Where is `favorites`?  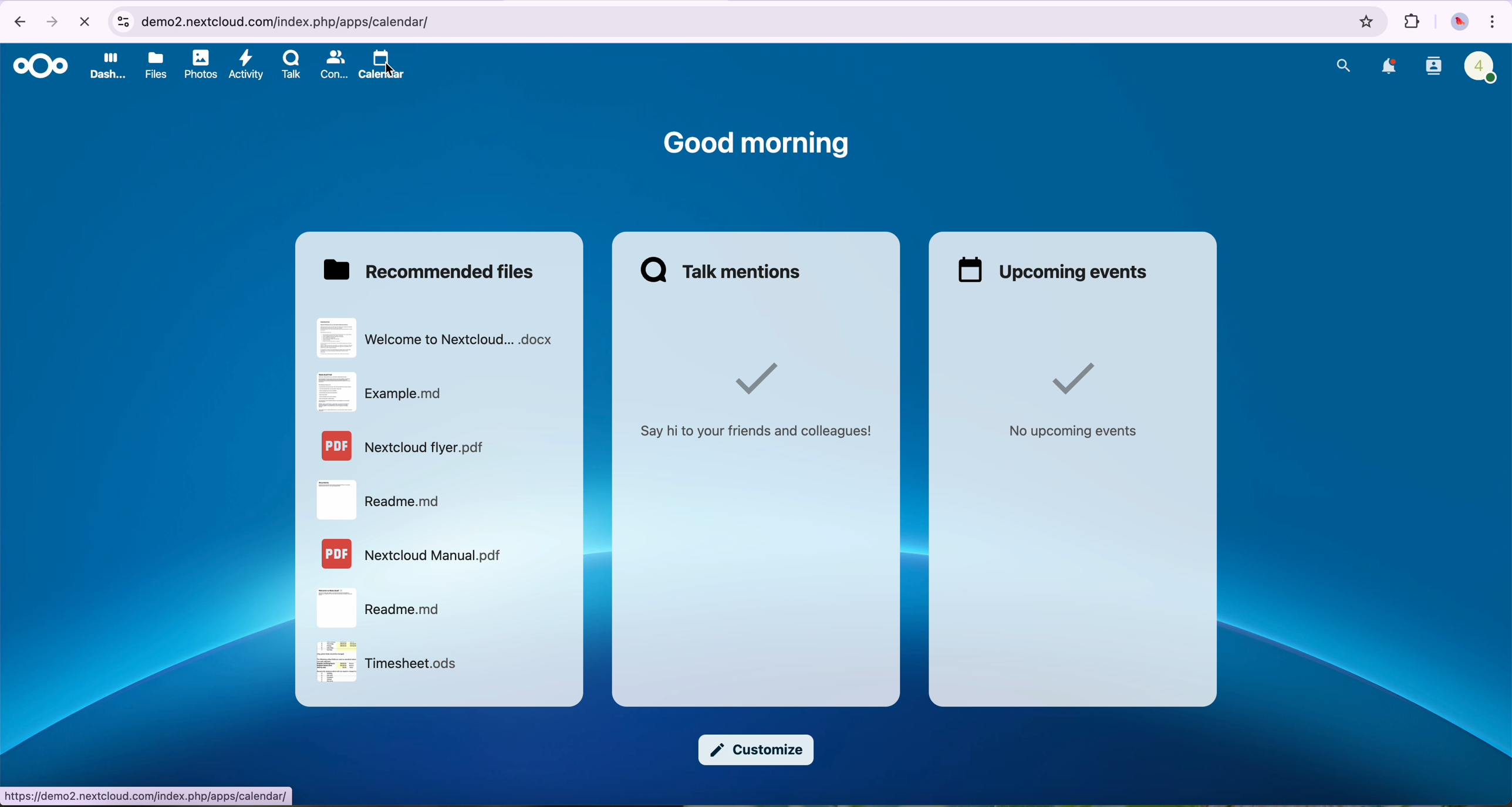 favorites is located at coordinates (1366, 23).